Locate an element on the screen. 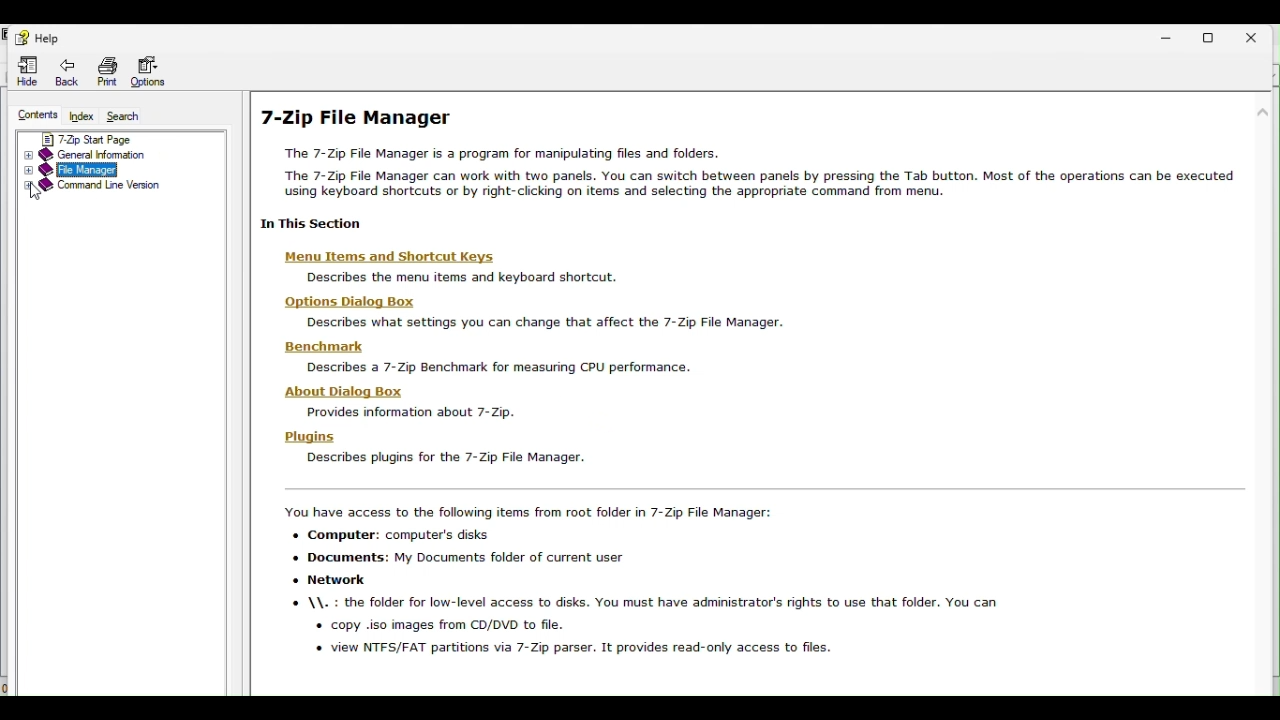  Index is located at coordinates (79, 115).